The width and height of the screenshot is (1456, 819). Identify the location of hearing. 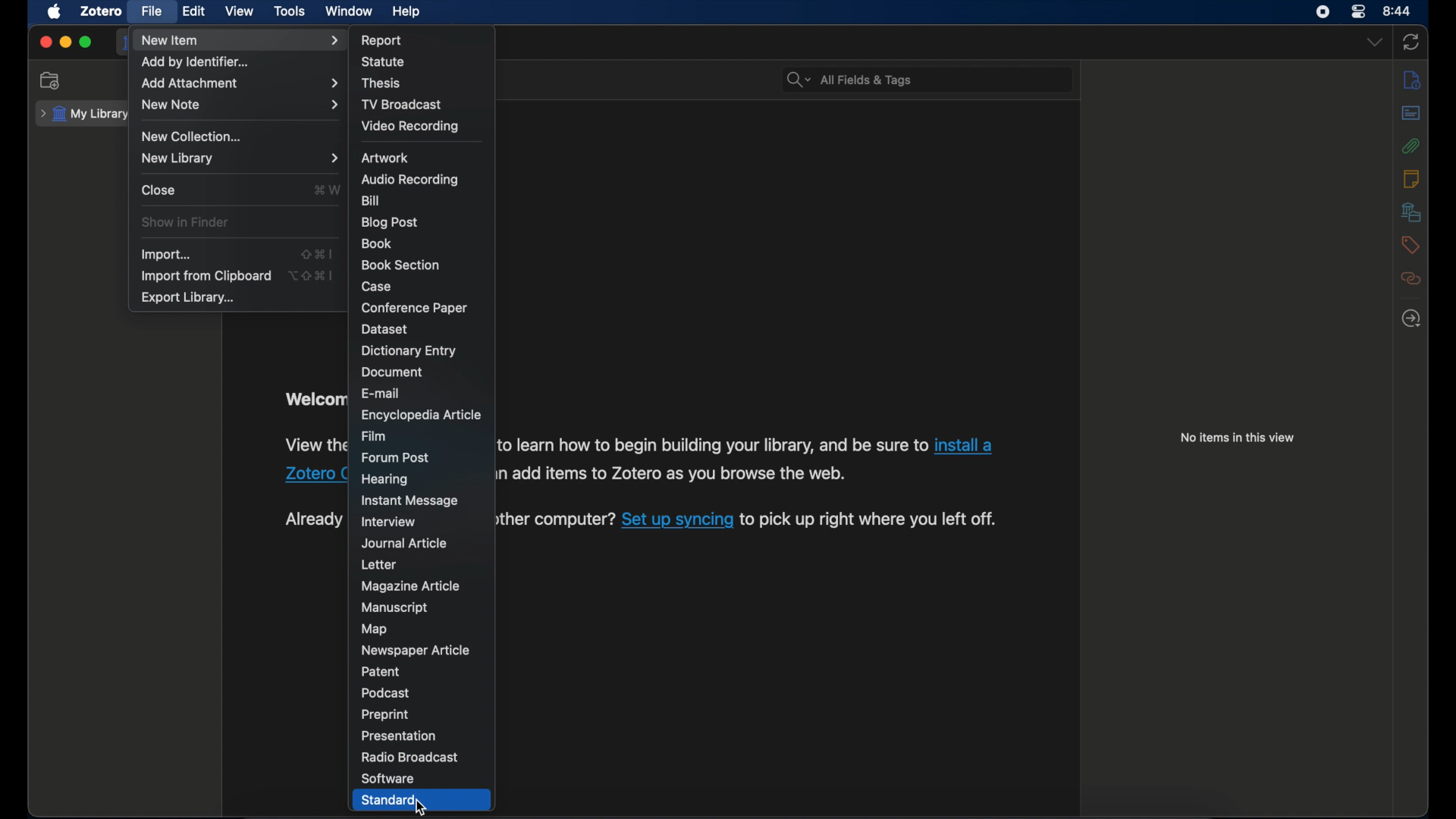
(385, 480).